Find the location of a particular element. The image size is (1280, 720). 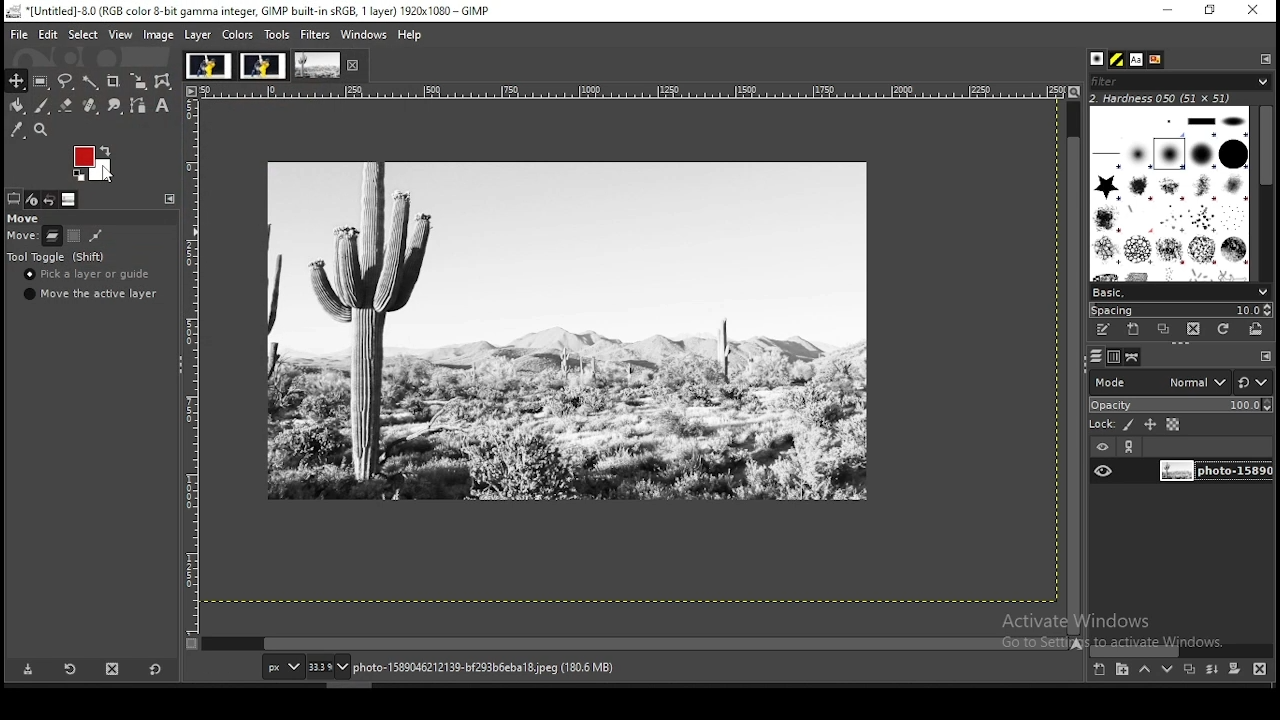

delete tool preset is located at coordinates (112, 669).